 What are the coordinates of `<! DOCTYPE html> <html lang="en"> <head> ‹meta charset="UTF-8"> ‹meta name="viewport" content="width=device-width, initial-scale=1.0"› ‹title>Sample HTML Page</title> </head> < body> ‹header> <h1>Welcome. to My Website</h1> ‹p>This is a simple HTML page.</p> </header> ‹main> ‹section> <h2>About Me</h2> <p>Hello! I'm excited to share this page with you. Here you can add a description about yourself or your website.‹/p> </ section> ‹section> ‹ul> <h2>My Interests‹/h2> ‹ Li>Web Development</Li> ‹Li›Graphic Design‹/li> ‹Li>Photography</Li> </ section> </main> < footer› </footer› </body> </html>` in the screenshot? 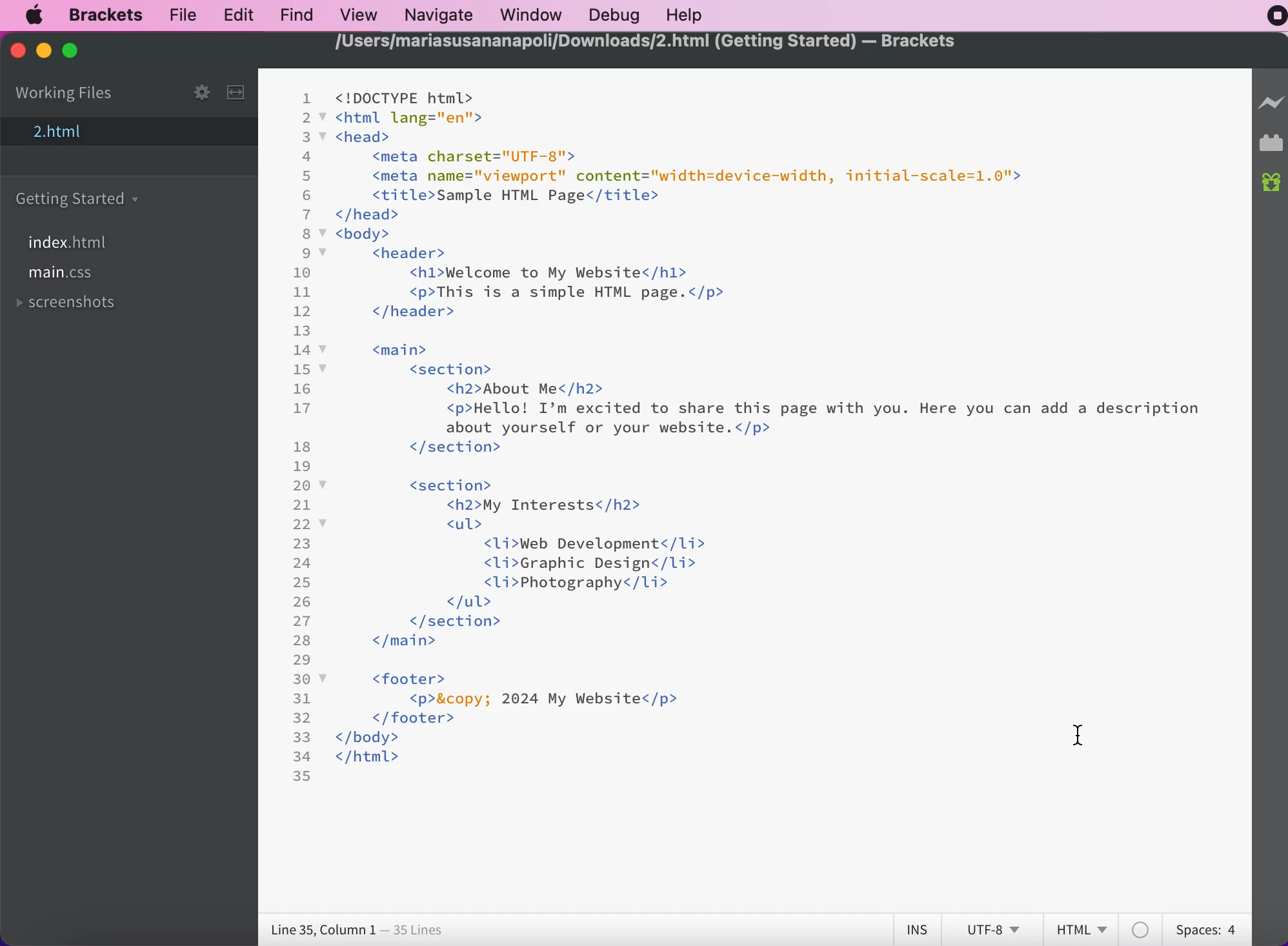 It's located at (769, 442).